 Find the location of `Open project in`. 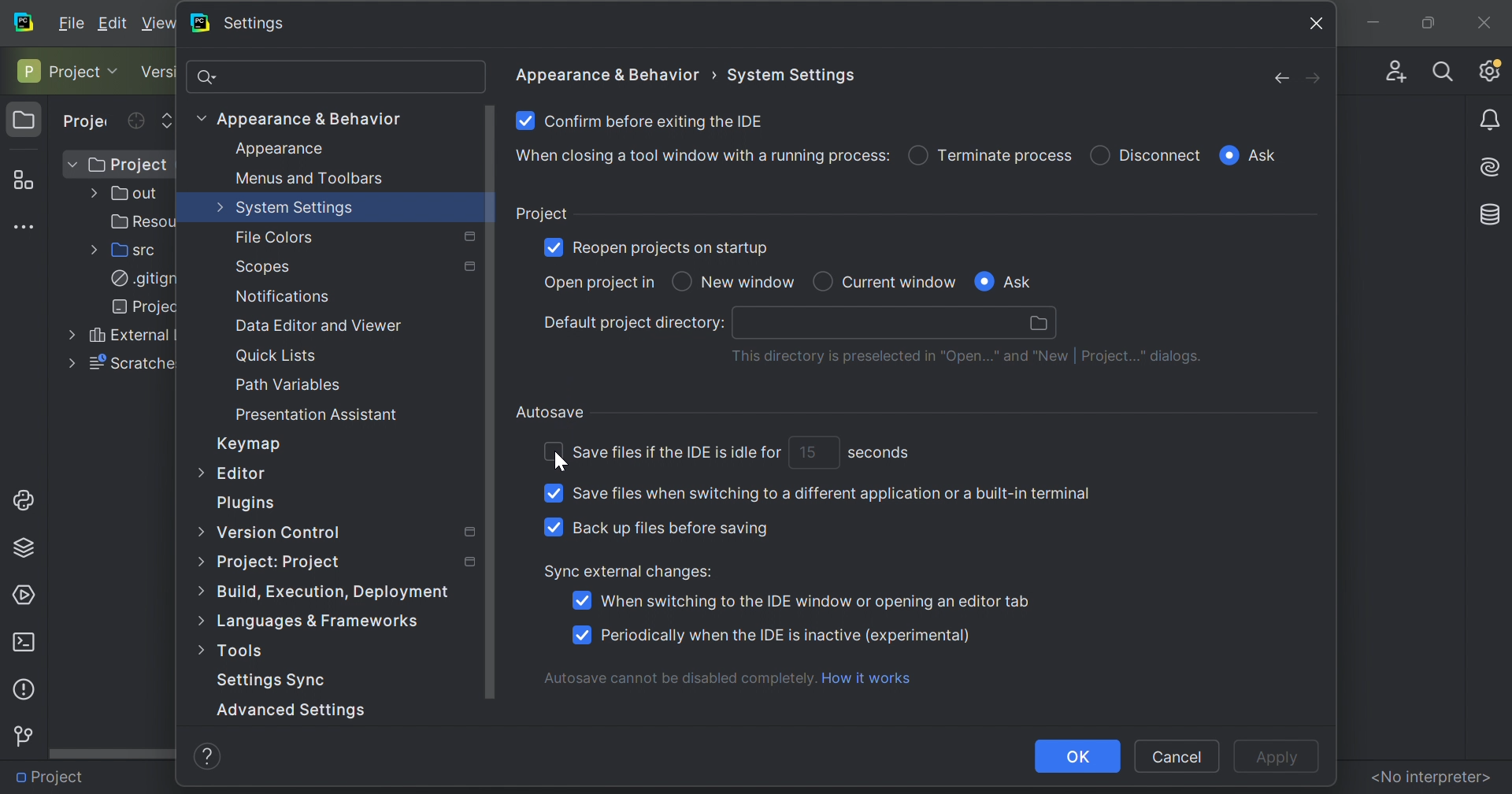

Open project in is located at coordinates (595, 283).